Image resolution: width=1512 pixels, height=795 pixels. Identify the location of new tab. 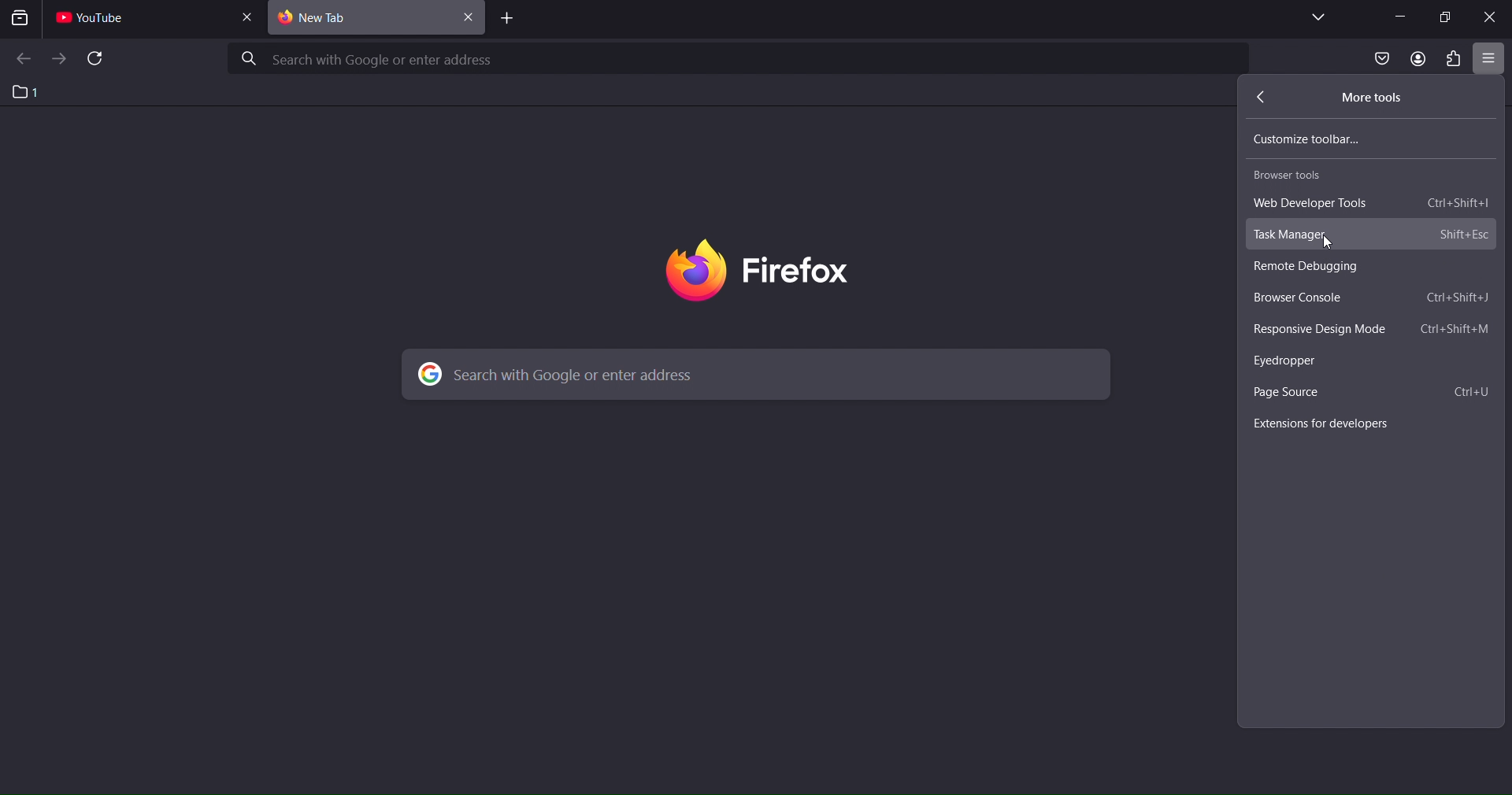
(503, 20).